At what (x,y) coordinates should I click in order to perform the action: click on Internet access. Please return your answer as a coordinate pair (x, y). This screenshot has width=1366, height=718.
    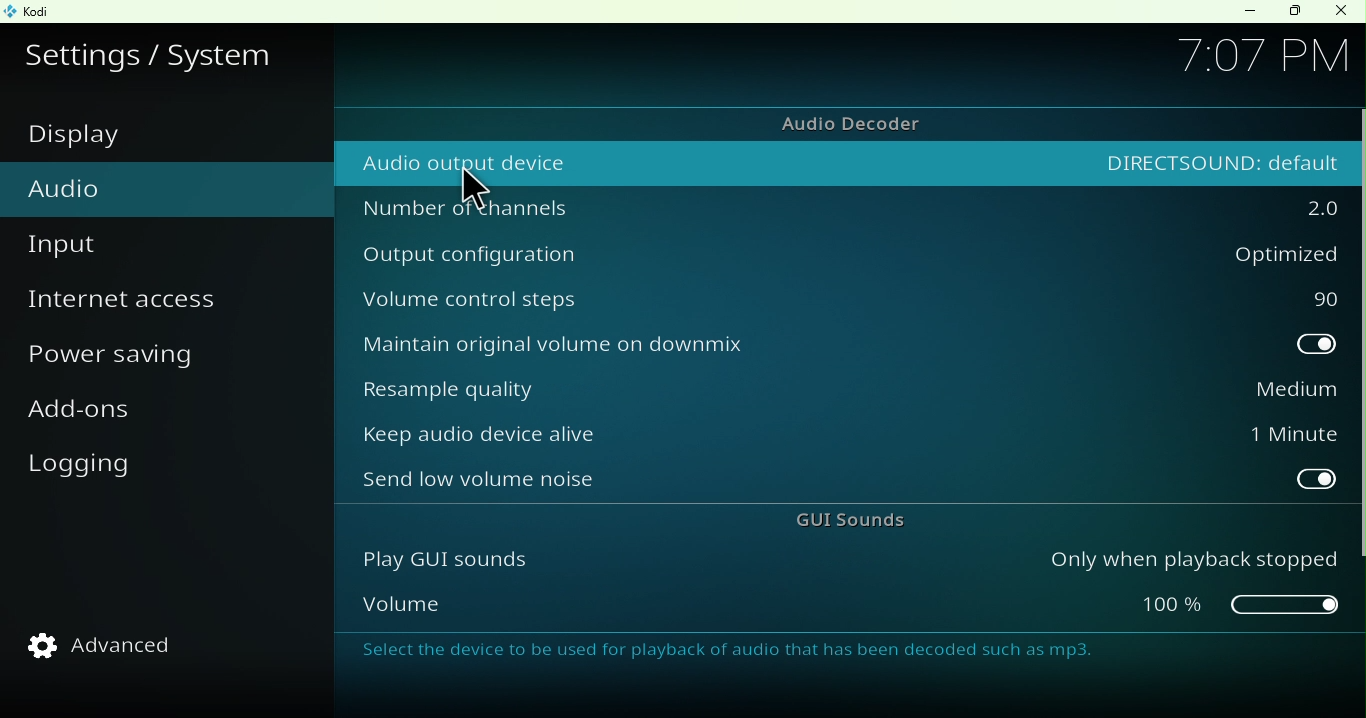
    Looking at the image, I should click on (136, 307).